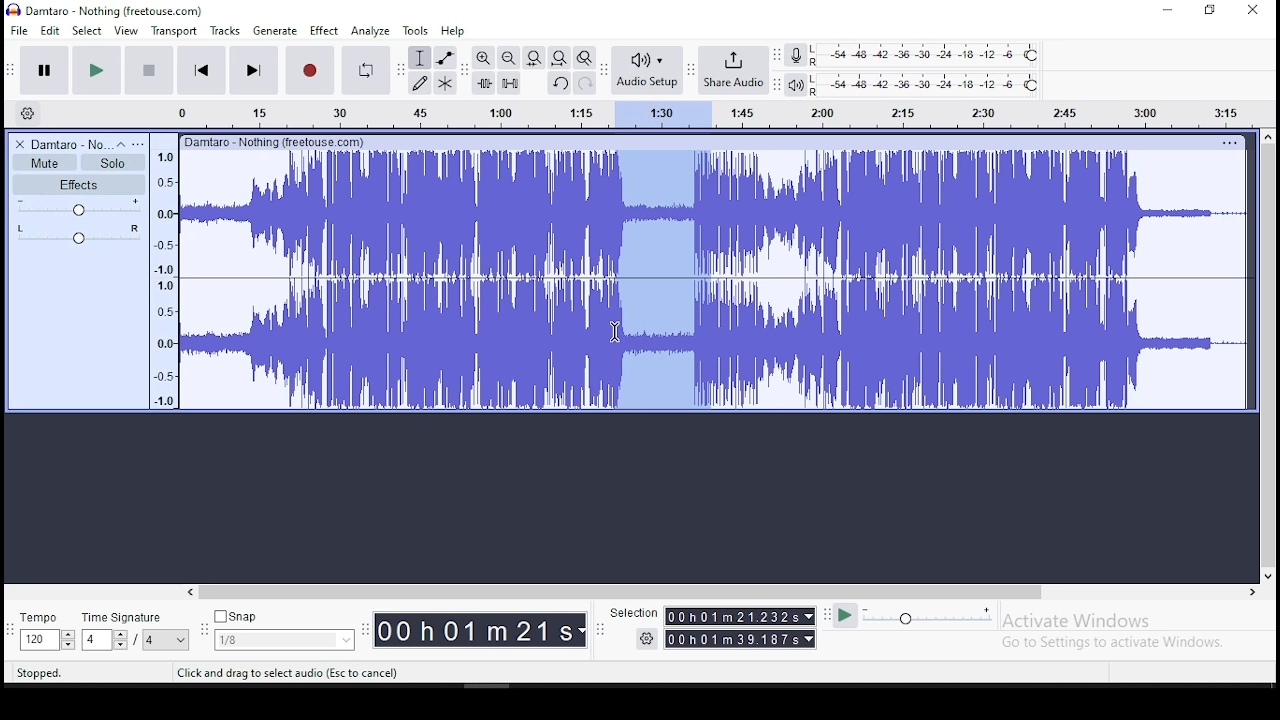 This screenshot has height=720, width=1280. I want to click on drop down, so click(807, 616).